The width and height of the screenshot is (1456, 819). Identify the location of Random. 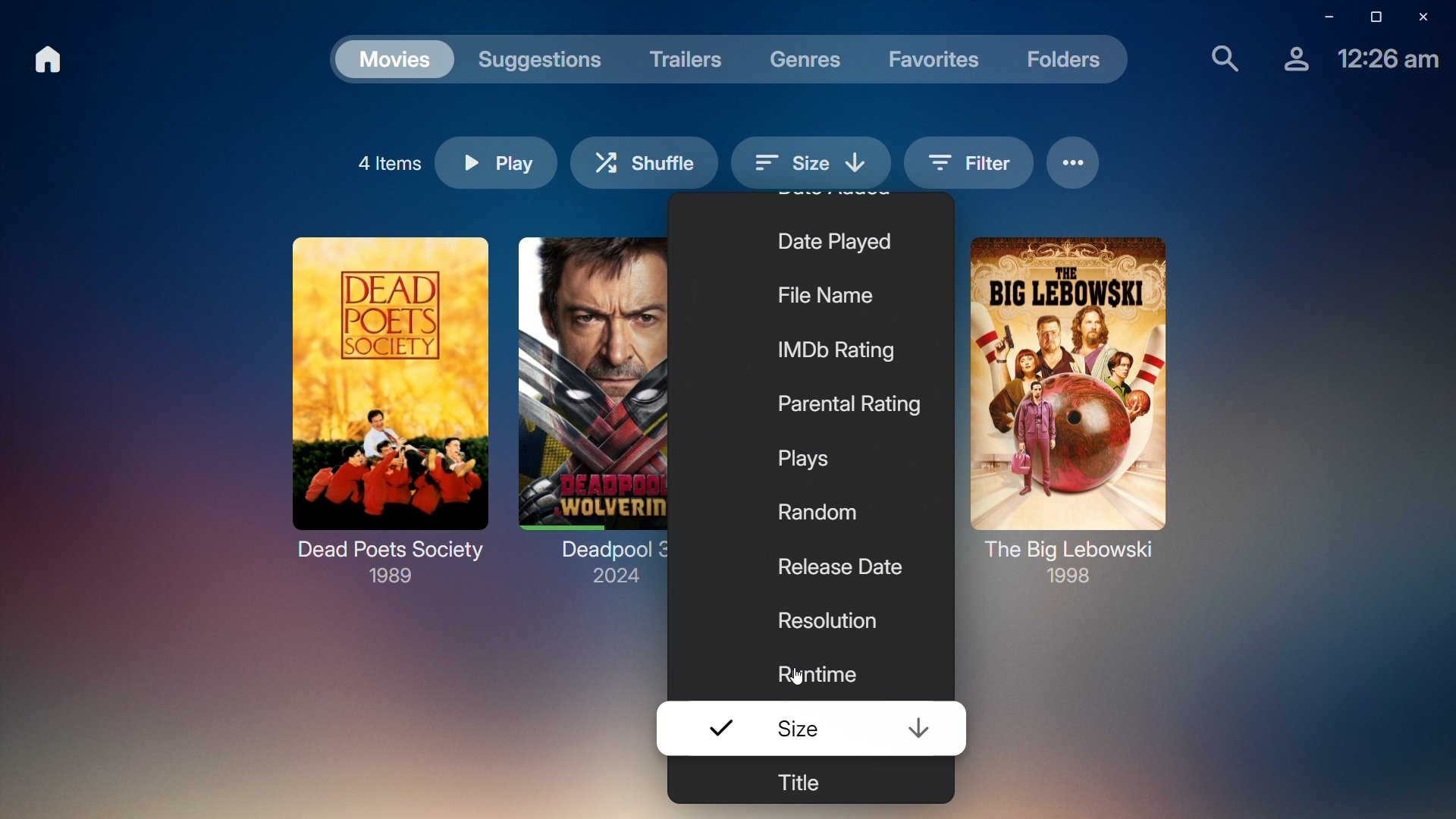
(815, 515).